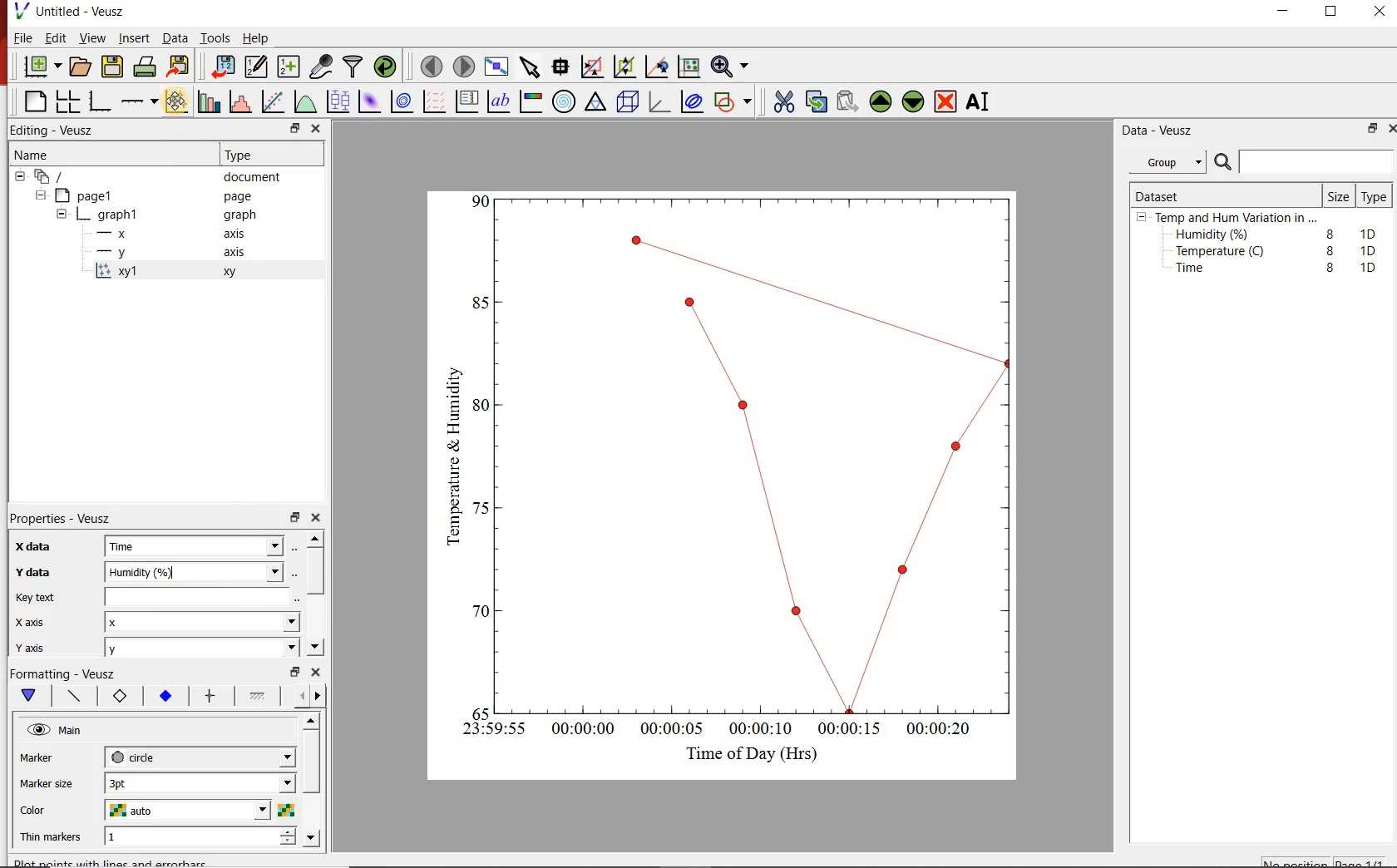 The image size is (1397, 868). I want to click on Export to graphics format, so click(180, 66).